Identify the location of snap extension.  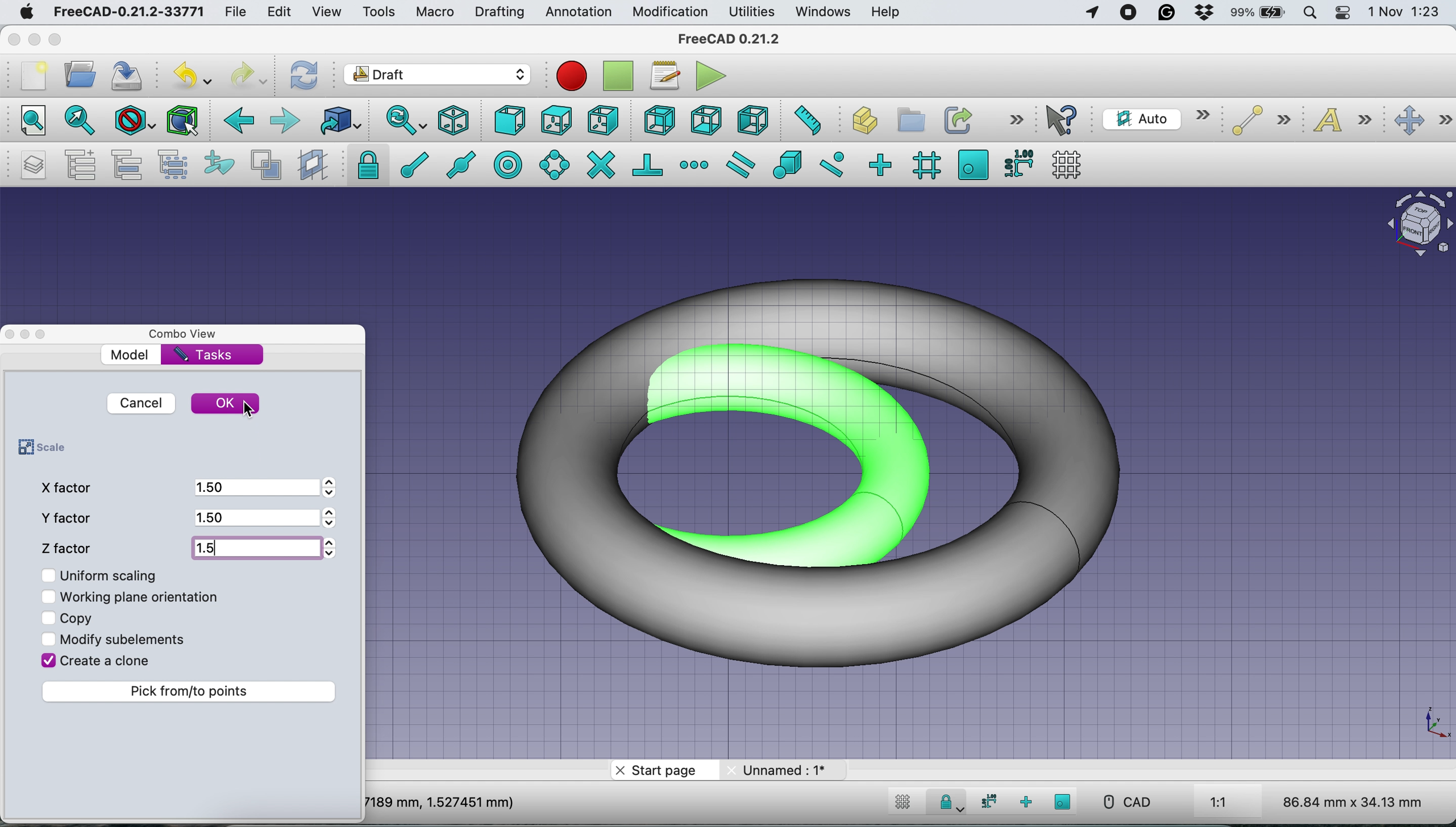
(694, 164).